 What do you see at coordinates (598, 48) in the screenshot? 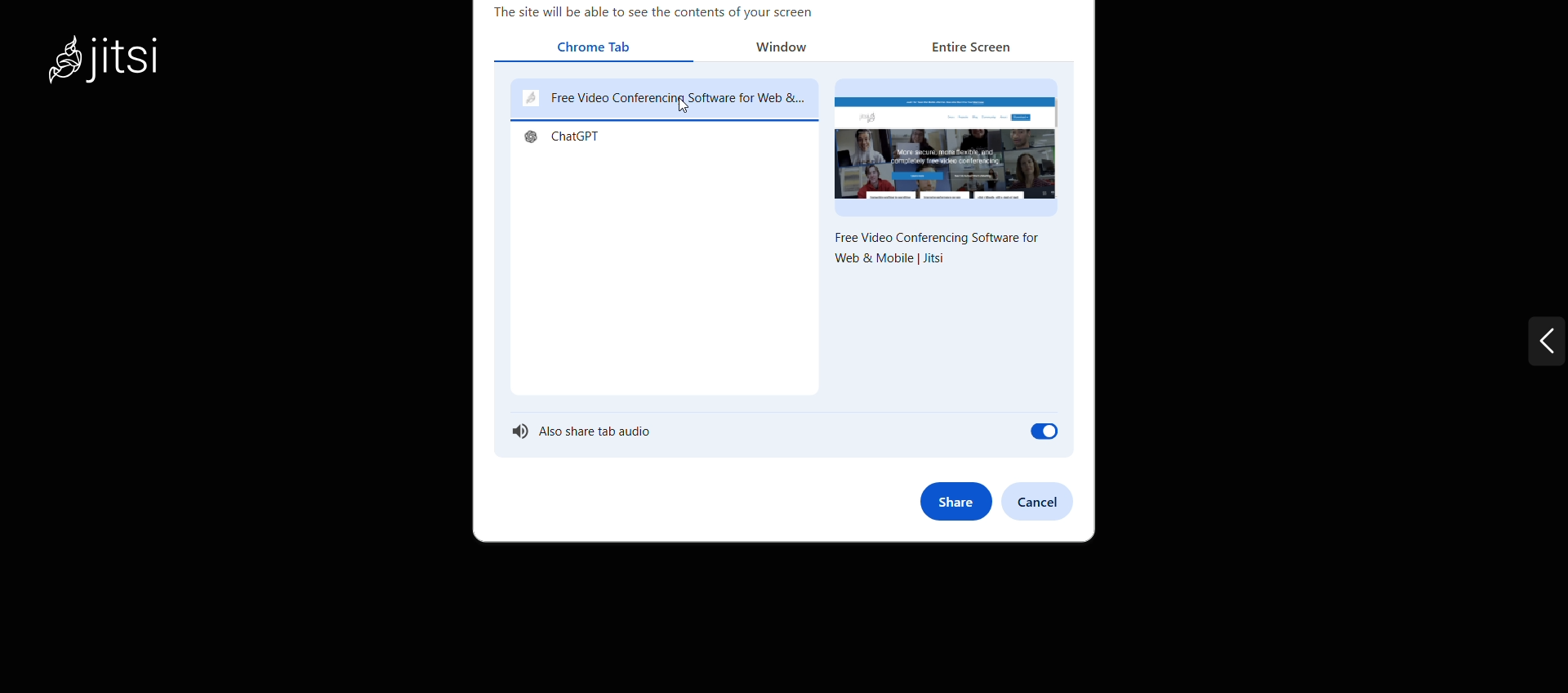
I see `Chrome Tab` at bounding box center [598, 48].